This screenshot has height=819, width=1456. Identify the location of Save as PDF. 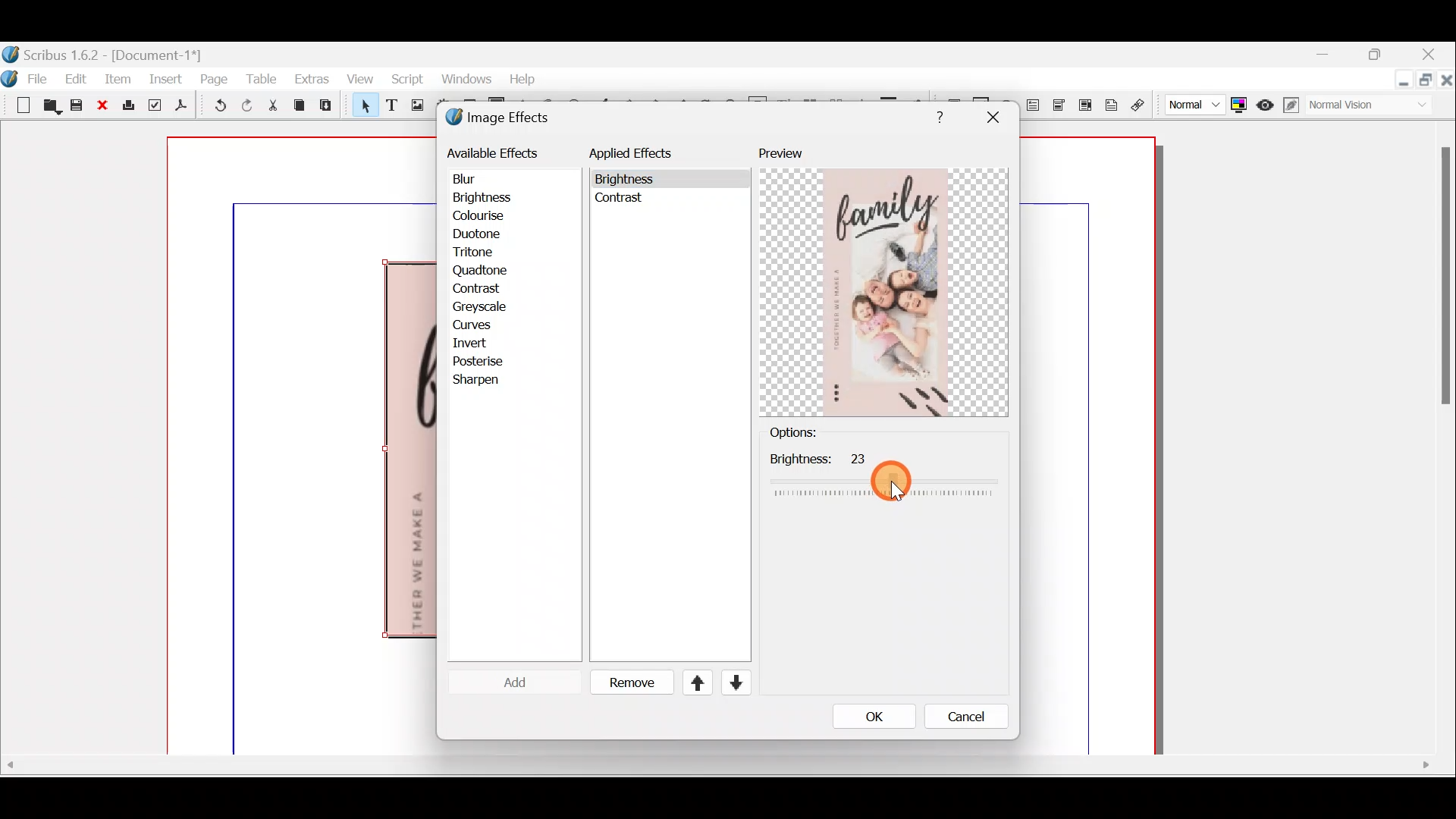
(179, 108).